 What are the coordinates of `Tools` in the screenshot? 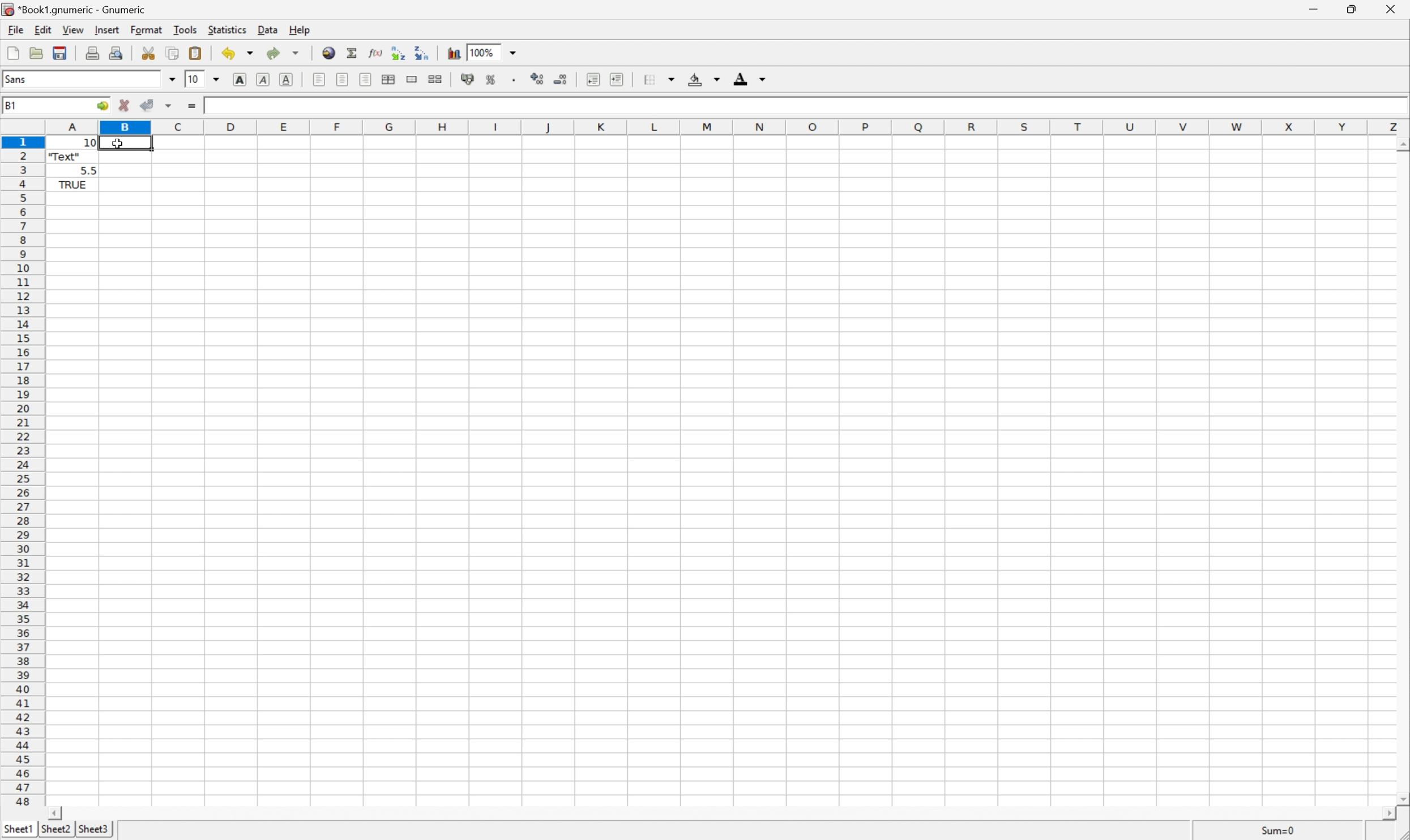 It's located at (186, 29).